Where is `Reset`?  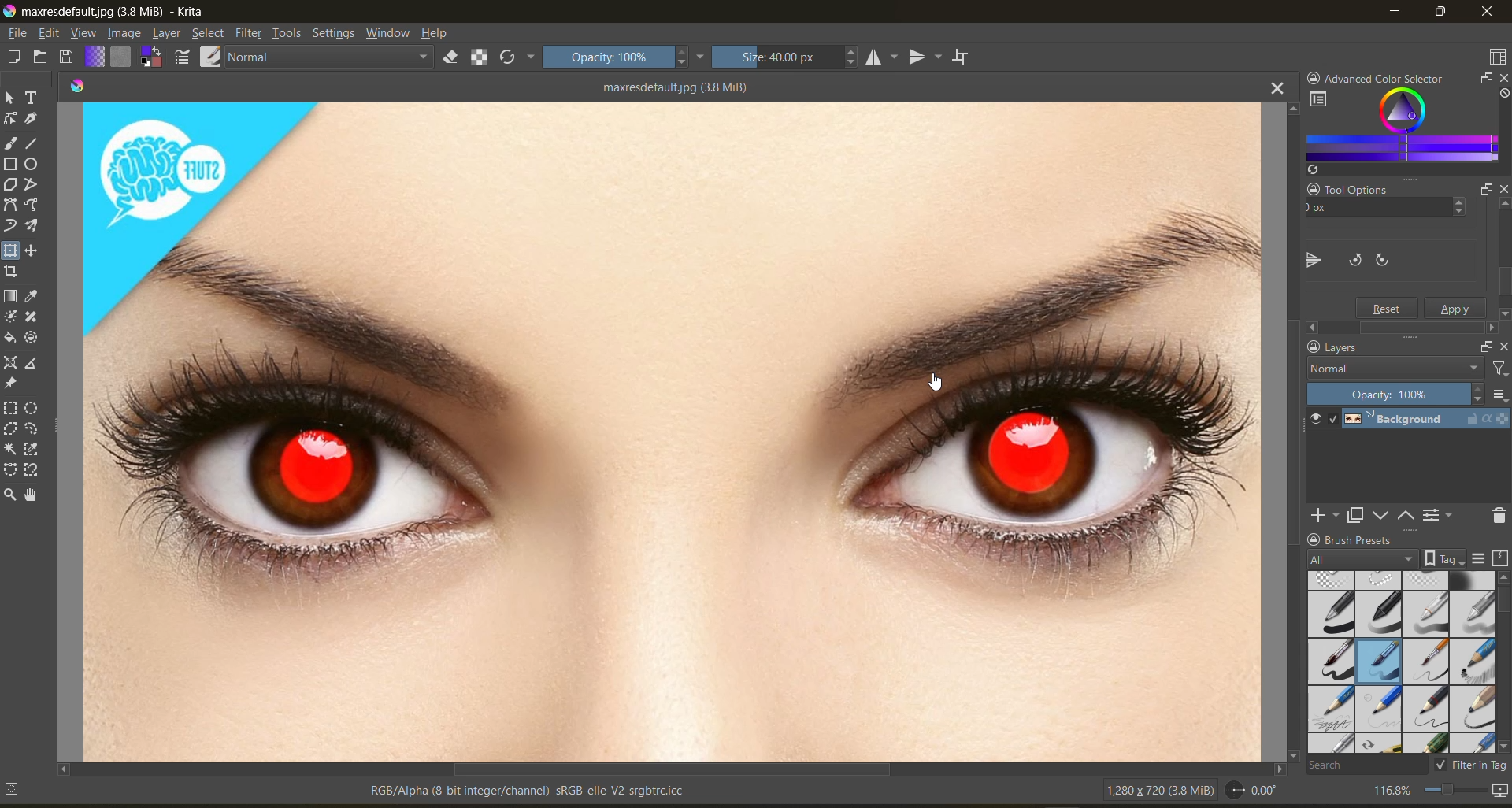
Reset is located at coordinates (1391, 310).